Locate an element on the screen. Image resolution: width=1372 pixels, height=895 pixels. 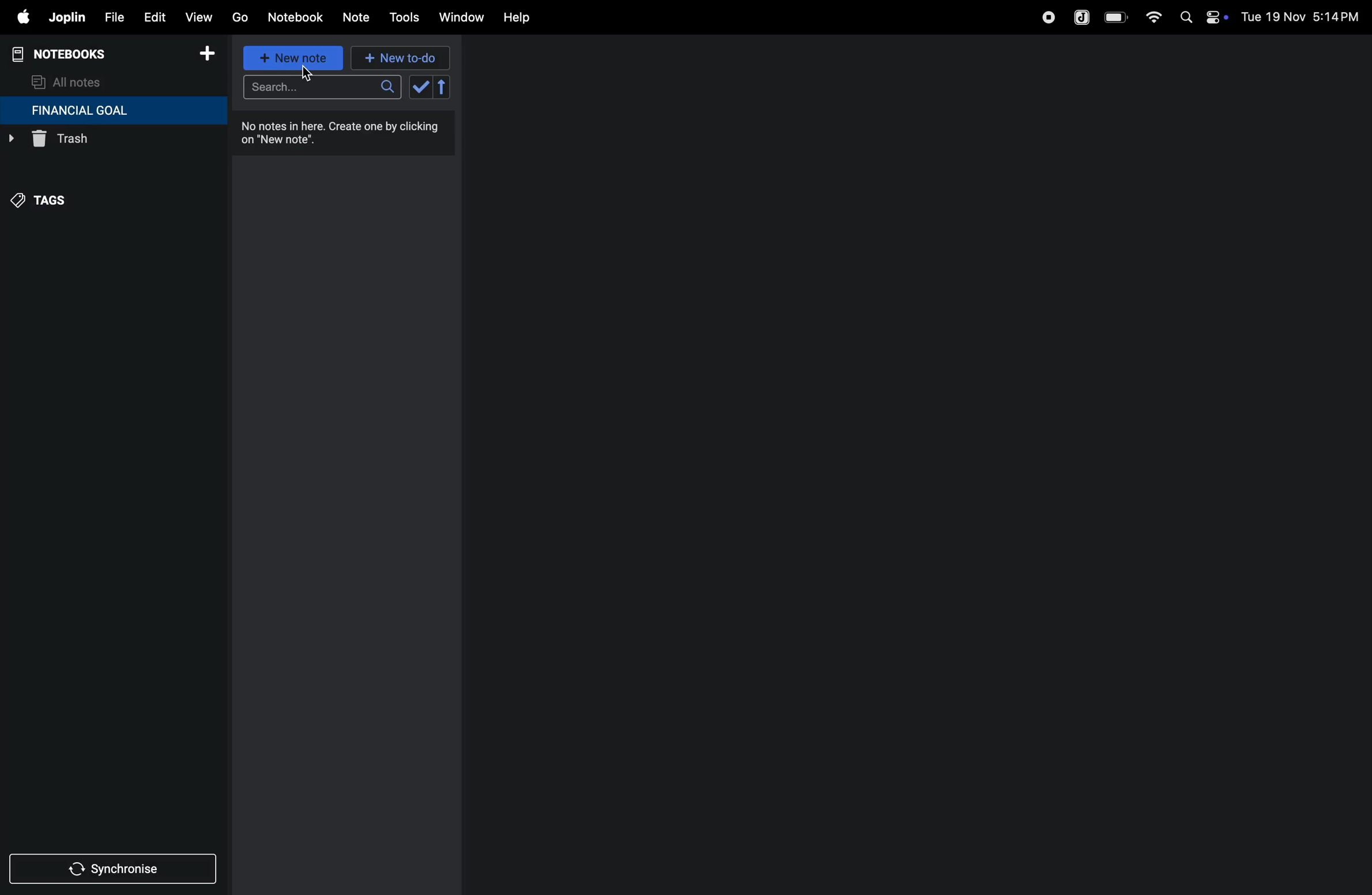
note is located at coordinates (358, 18).